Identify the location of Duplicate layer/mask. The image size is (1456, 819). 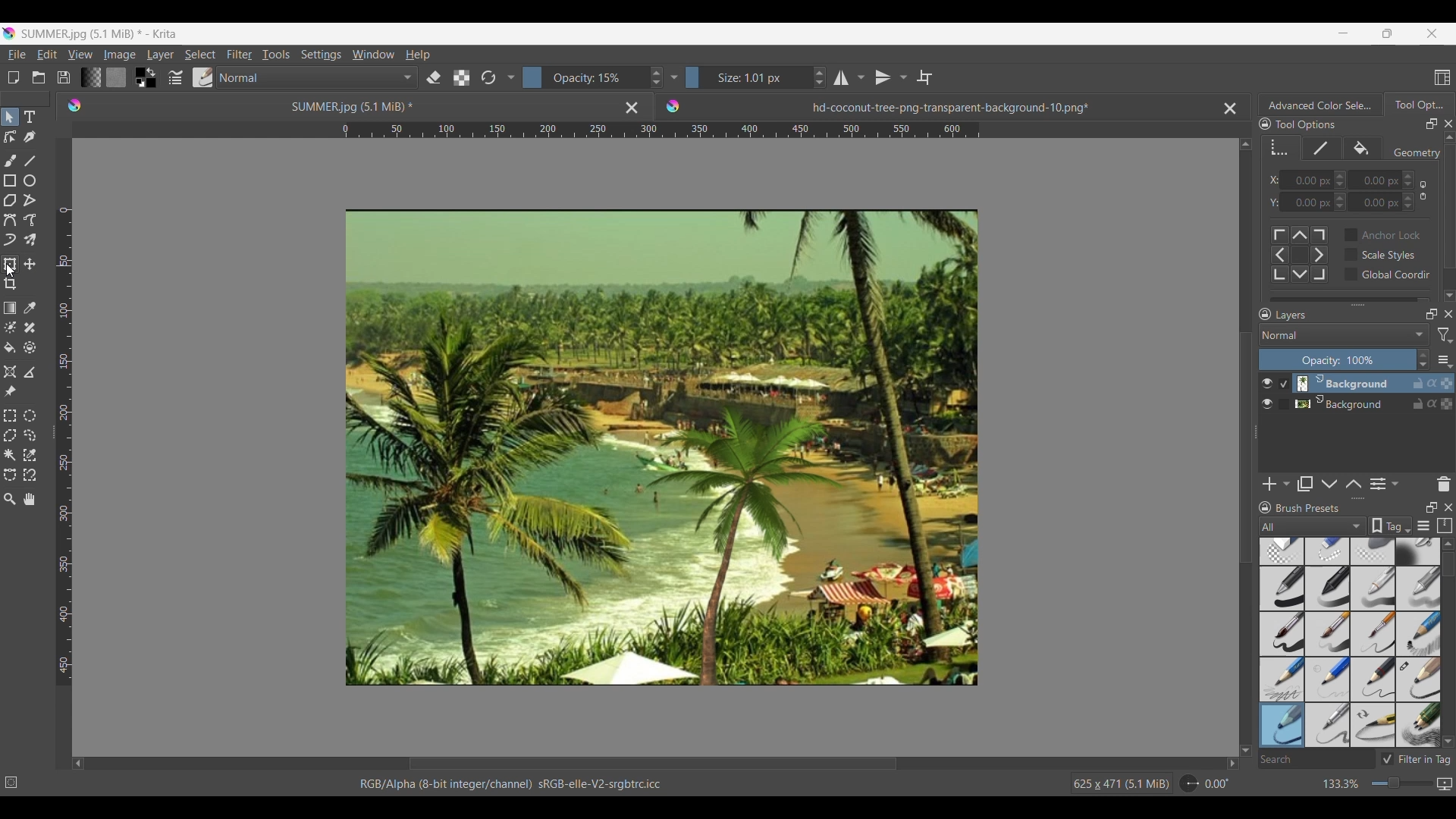
(1305, 484).